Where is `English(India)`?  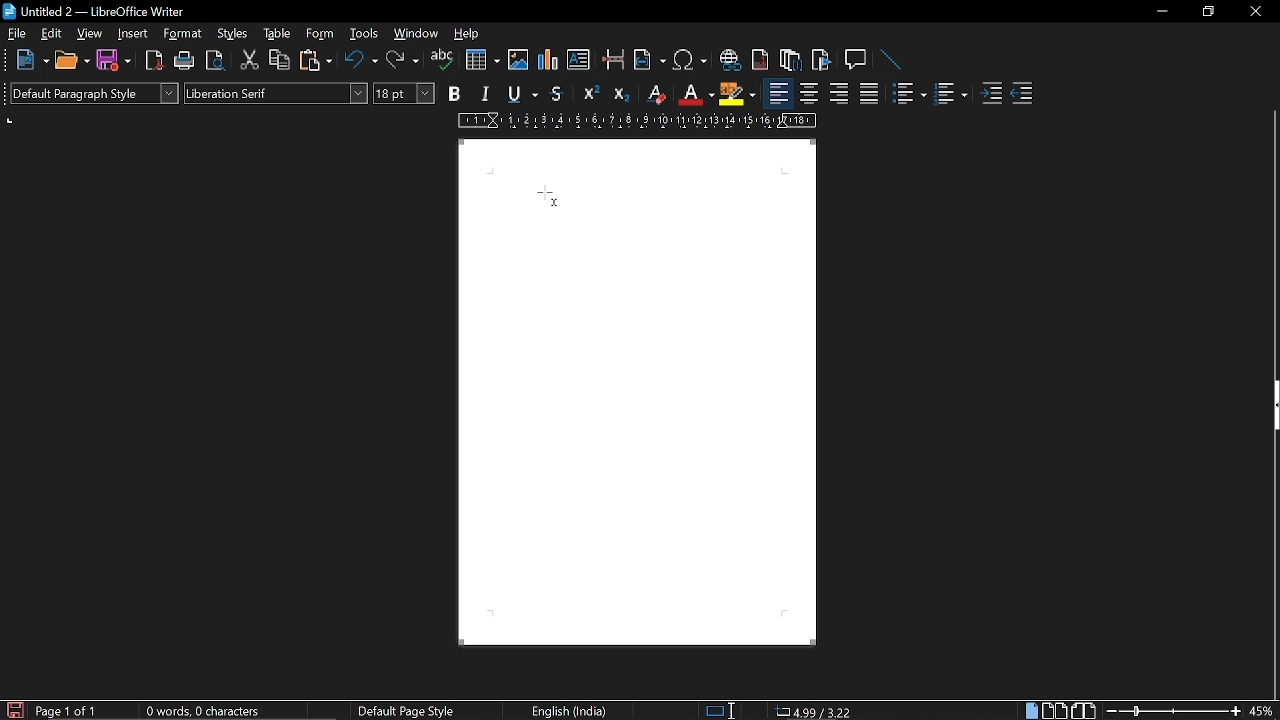
English(India) is located at coordinates (572, 710).